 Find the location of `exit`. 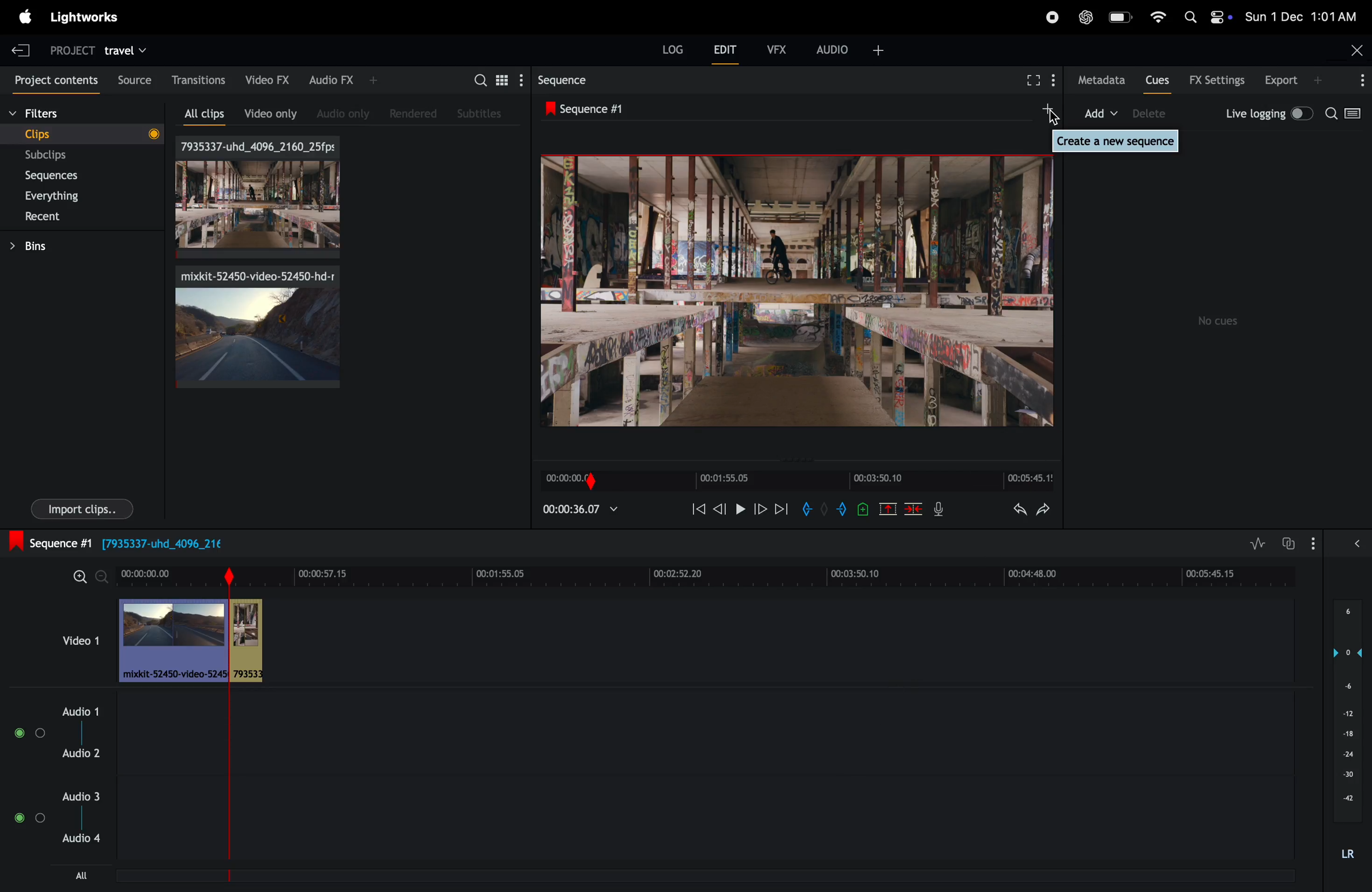

exit is located at coordinates (24, 50).